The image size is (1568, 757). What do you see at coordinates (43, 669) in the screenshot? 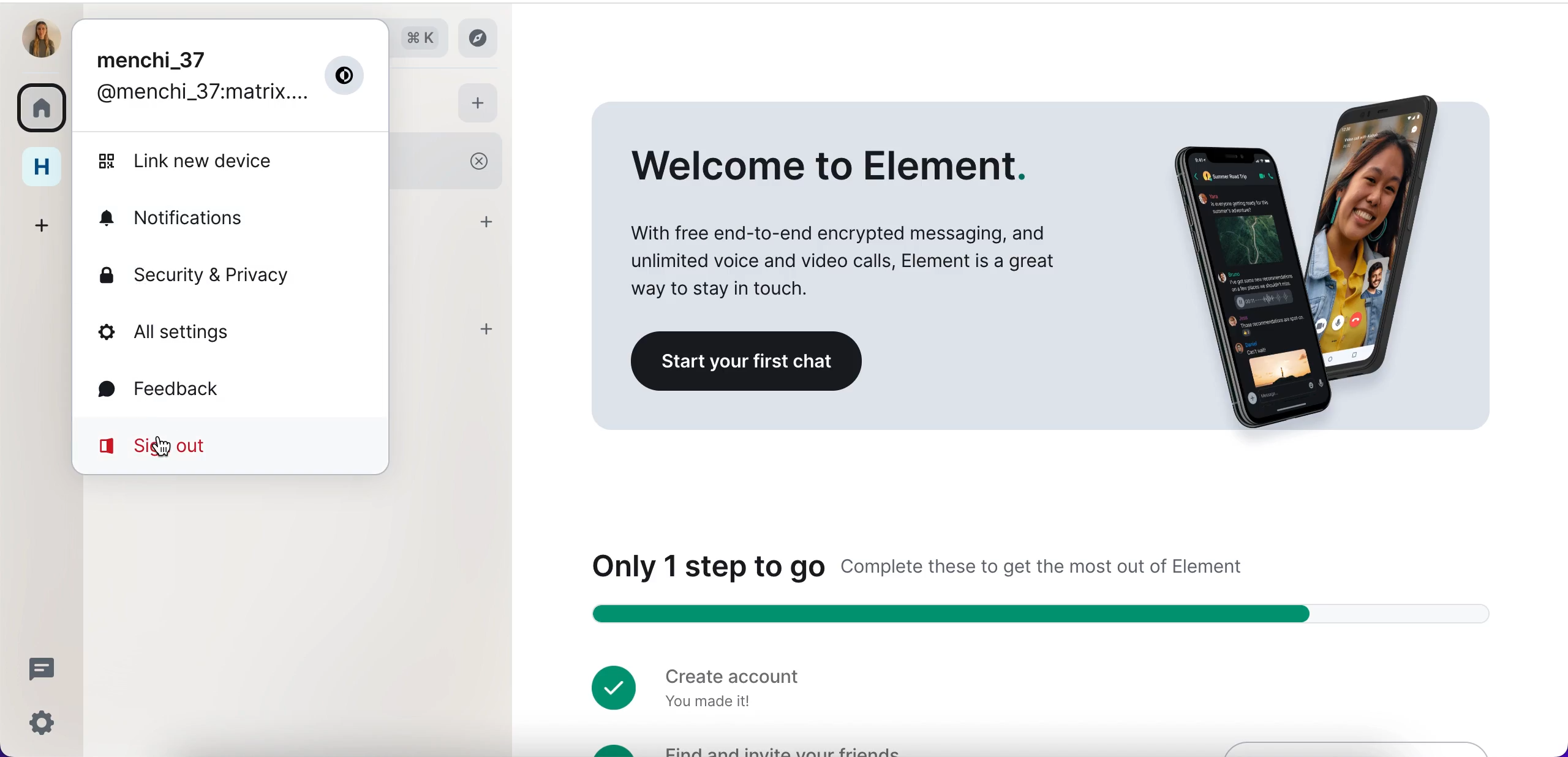
I see `threads` at bounding box center [43, 669].